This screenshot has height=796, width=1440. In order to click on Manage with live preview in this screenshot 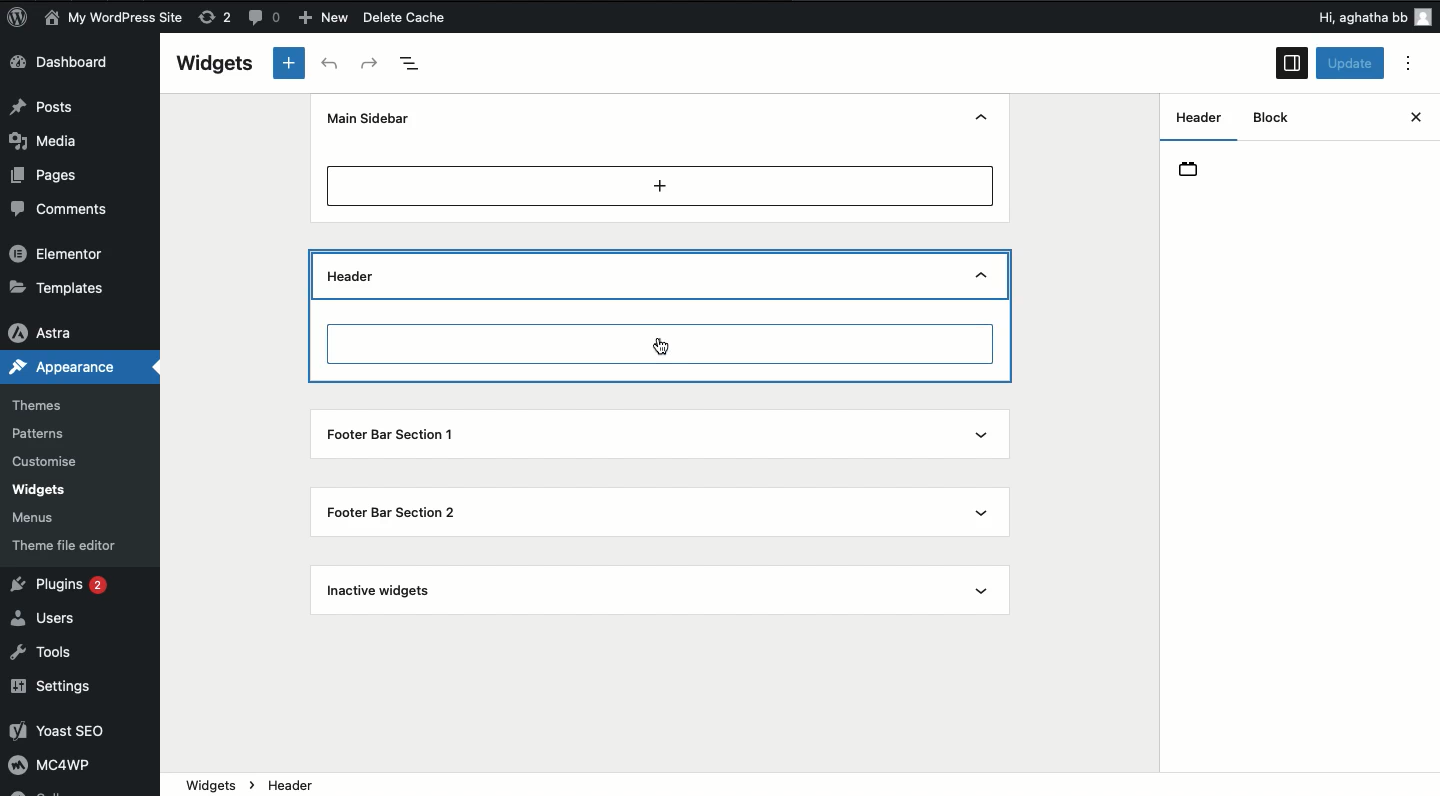, I will do `click(1300, 287)`.